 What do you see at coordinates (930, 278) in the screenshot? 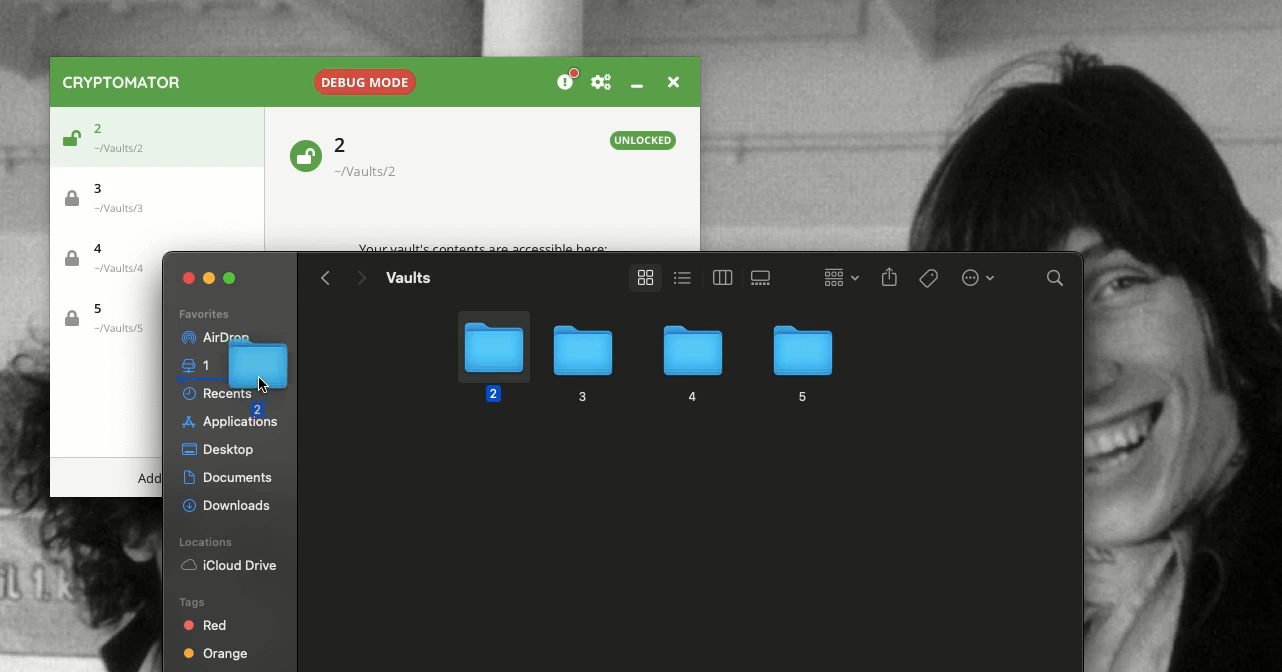
I see `Tags` at bounding box center [930, 278].